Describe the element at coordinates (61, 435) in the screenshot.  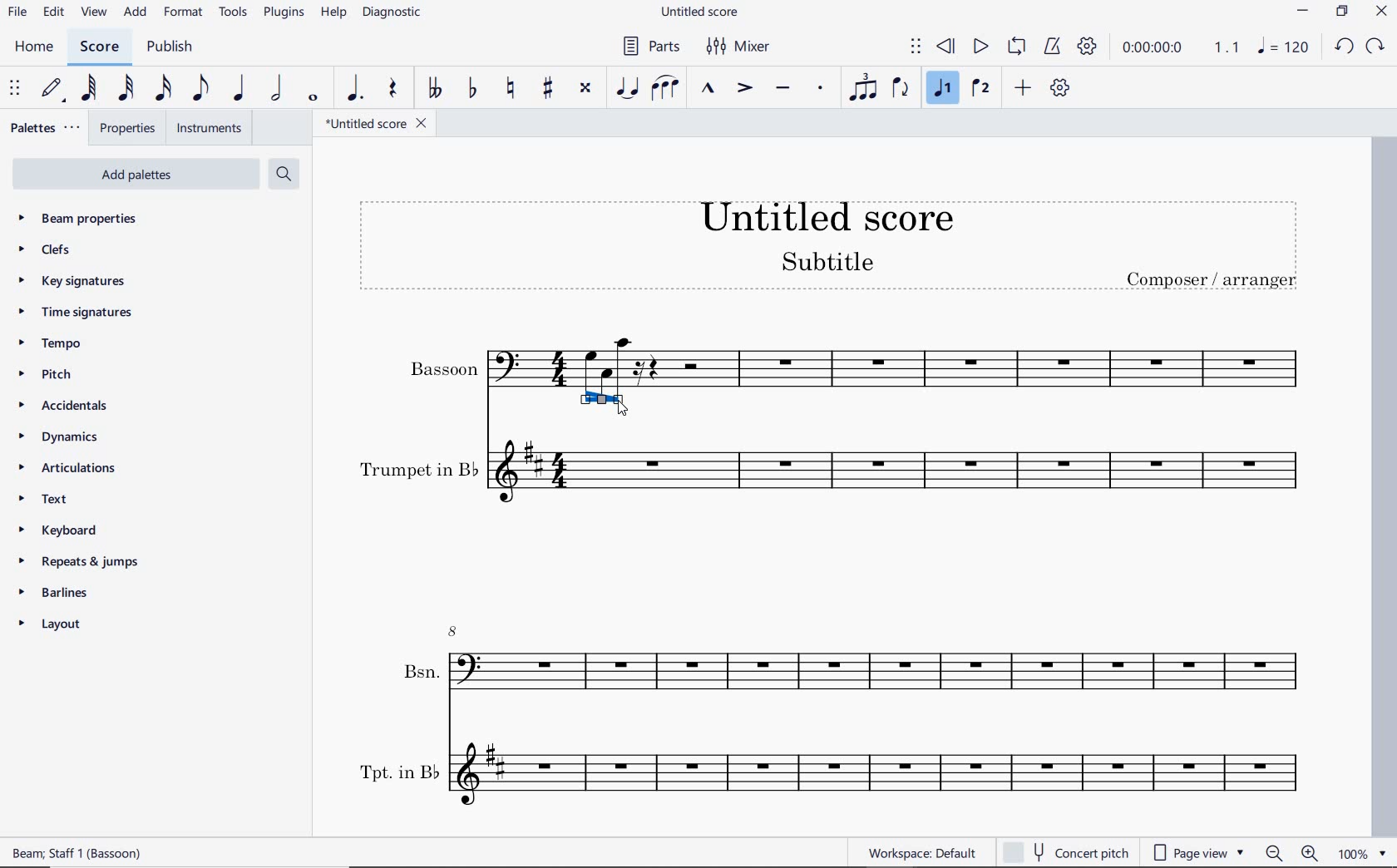
I see `dynamics` at that location.